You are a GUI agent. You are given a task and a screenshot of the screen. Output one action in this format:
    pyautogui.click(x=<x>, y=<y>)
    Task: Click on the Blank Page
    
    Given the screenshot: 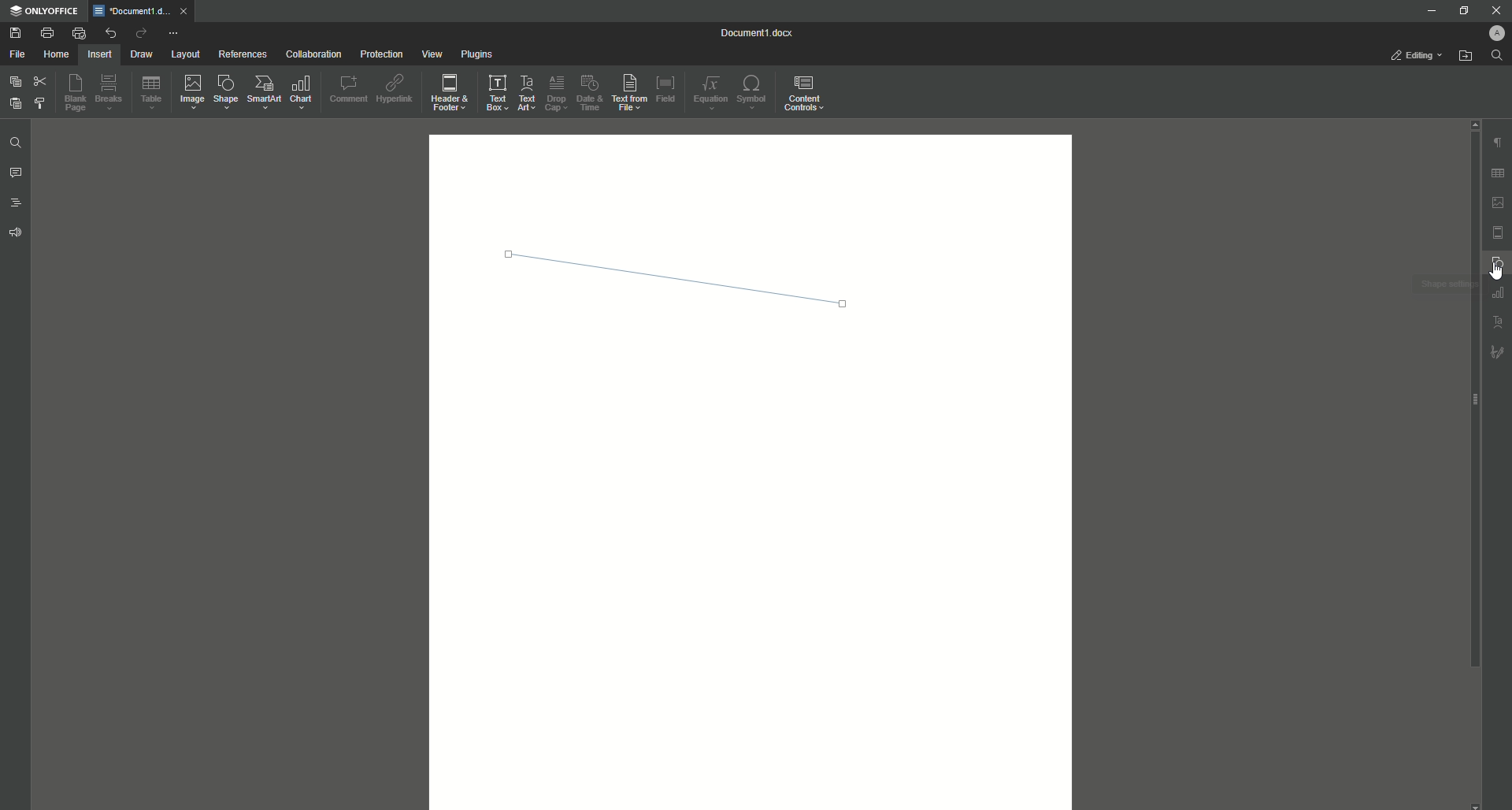 What is the action you would take?
    pyautogui.click(x=78, y=95)
    